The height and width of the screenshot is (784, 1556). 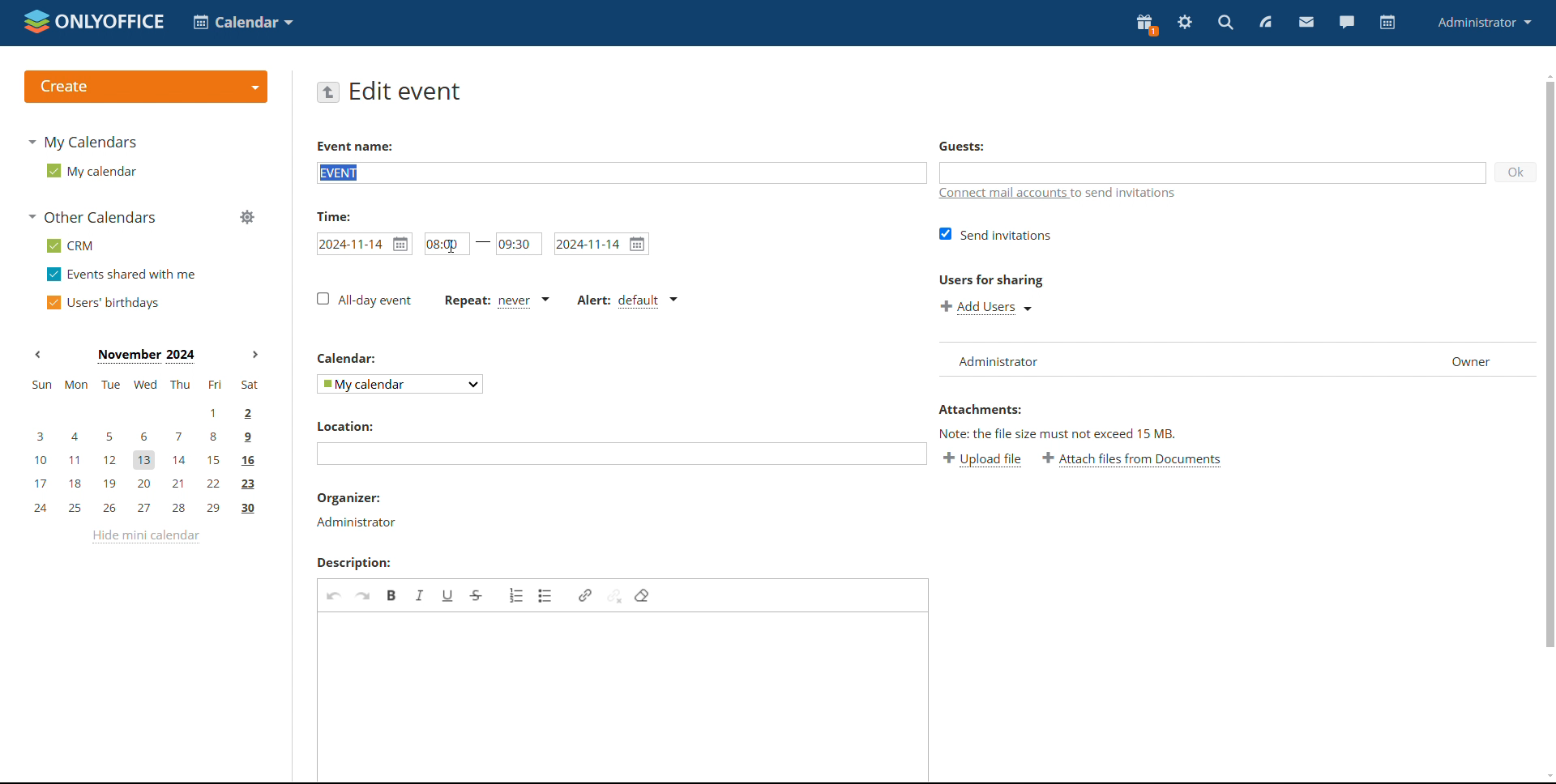 What do you see at coordinates (400, 384) in the screenshot?
I see `select event calendar` at bounding box center [400, 384].